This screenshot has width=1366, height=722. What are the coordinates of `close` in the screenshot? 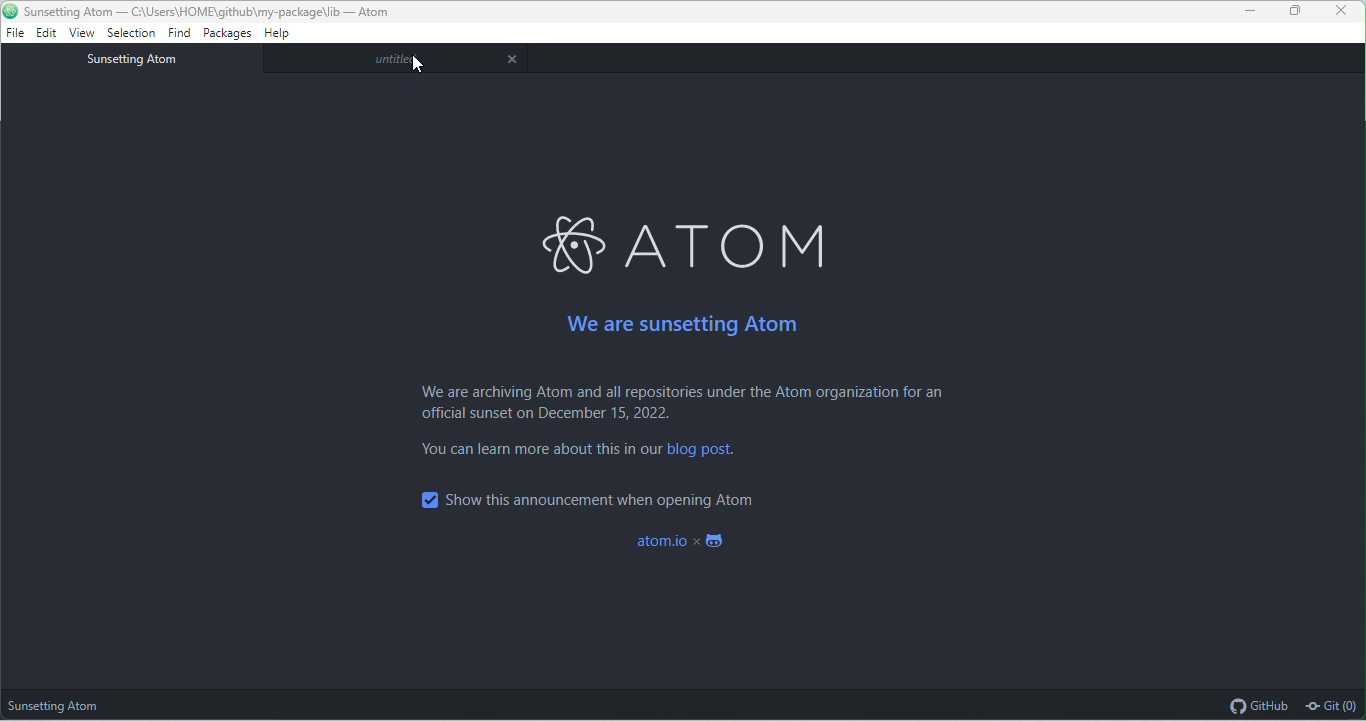 It's located at (511, 60).